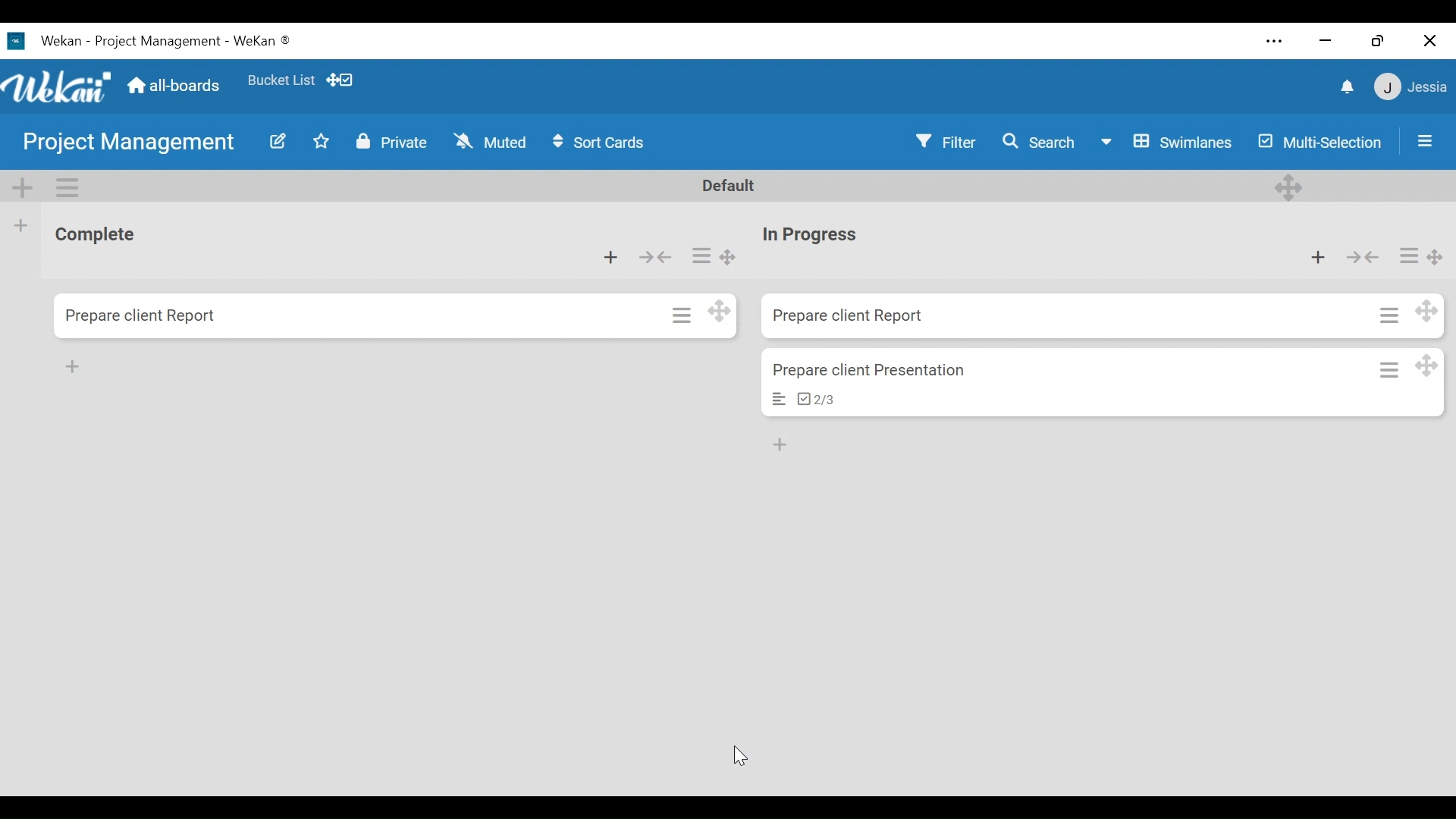  Describe the element at coordinates (1362, 257) in the screenshot. I see `Collapse` at that location.